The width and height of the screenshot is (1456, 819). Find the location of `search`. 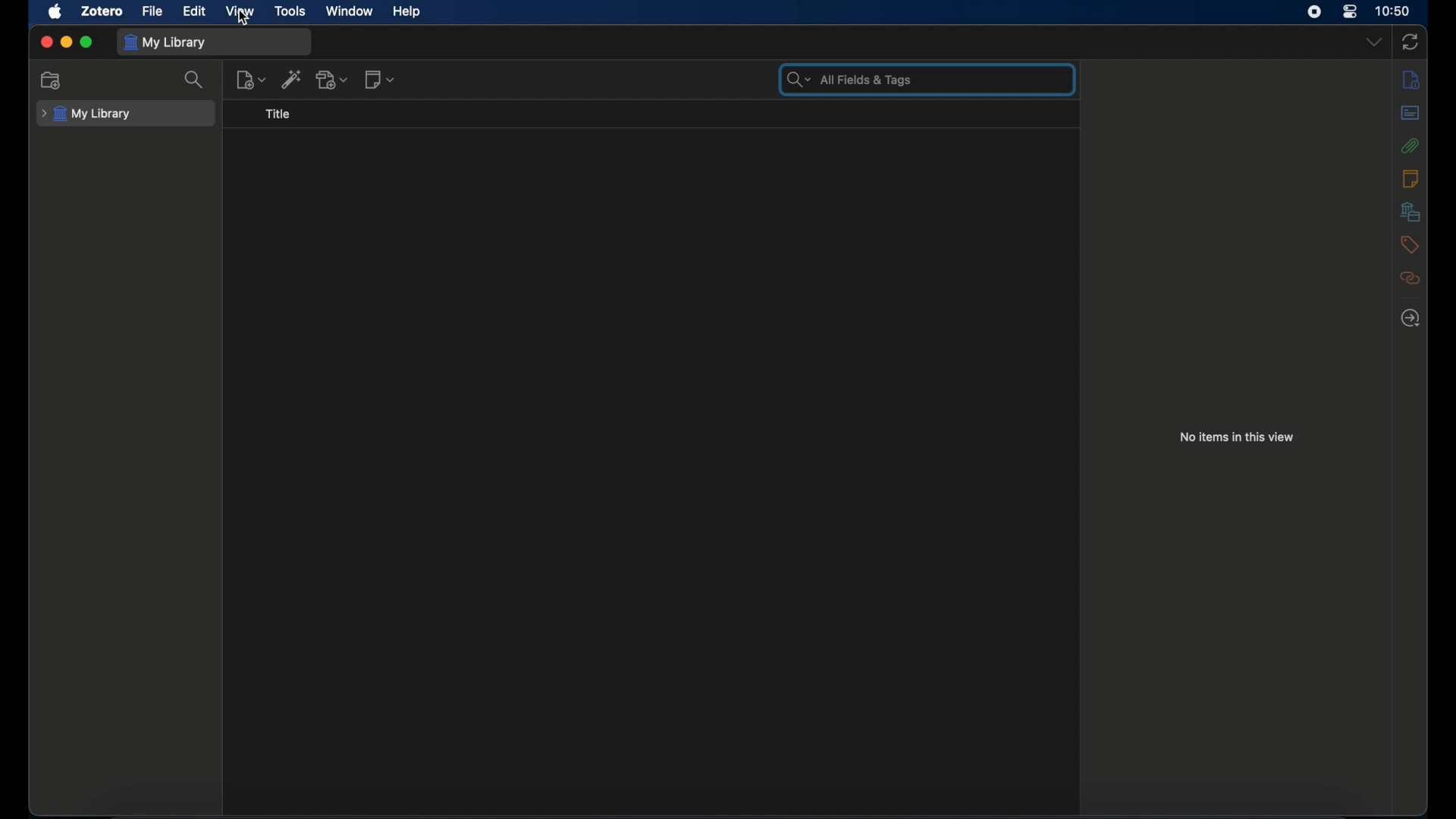

search is located at coordinates (196, 80).